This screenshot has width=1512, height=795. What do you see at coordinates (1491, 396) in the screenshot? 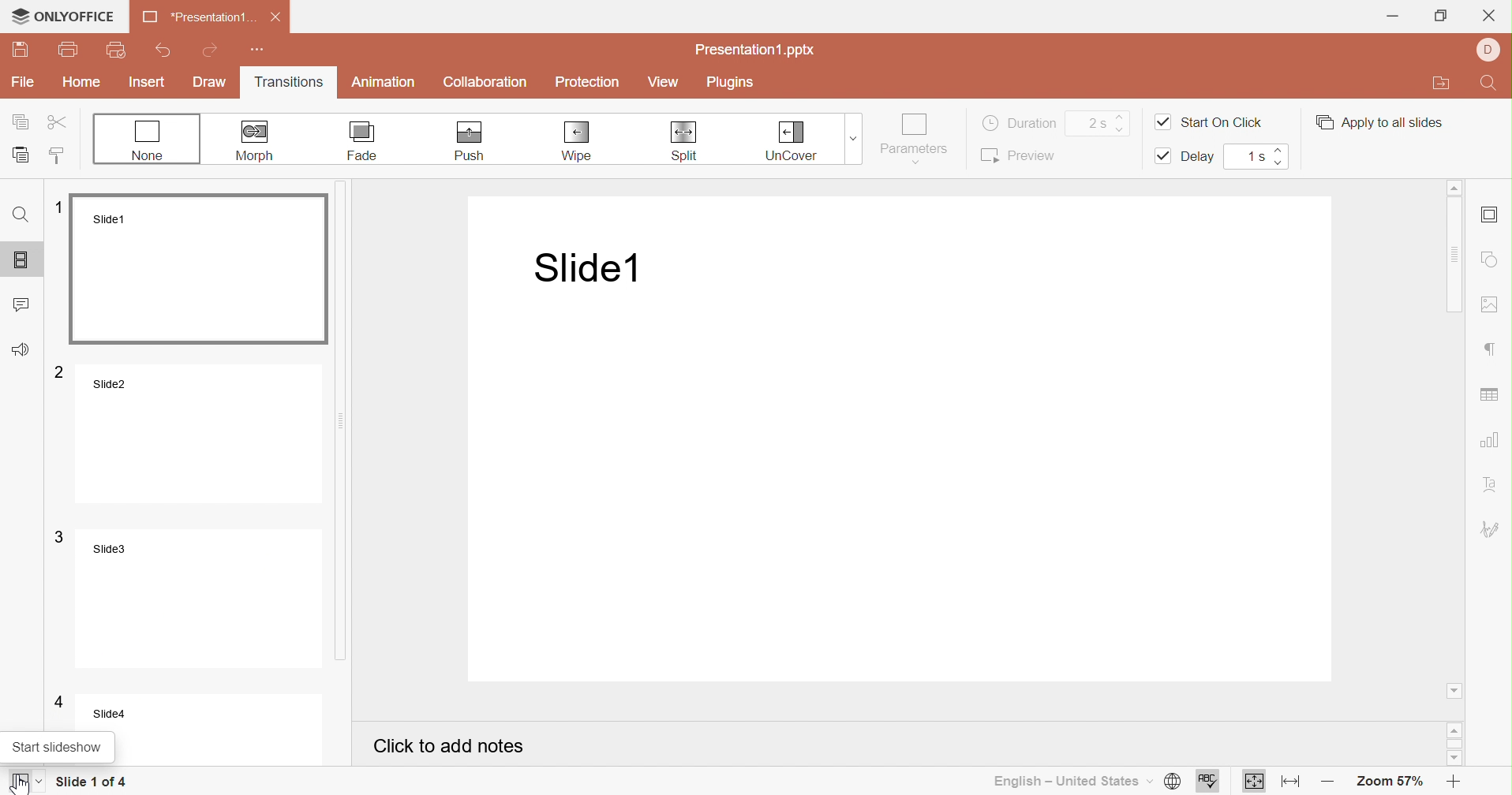
I see `Insert table` at bounding box center [1491, 396].